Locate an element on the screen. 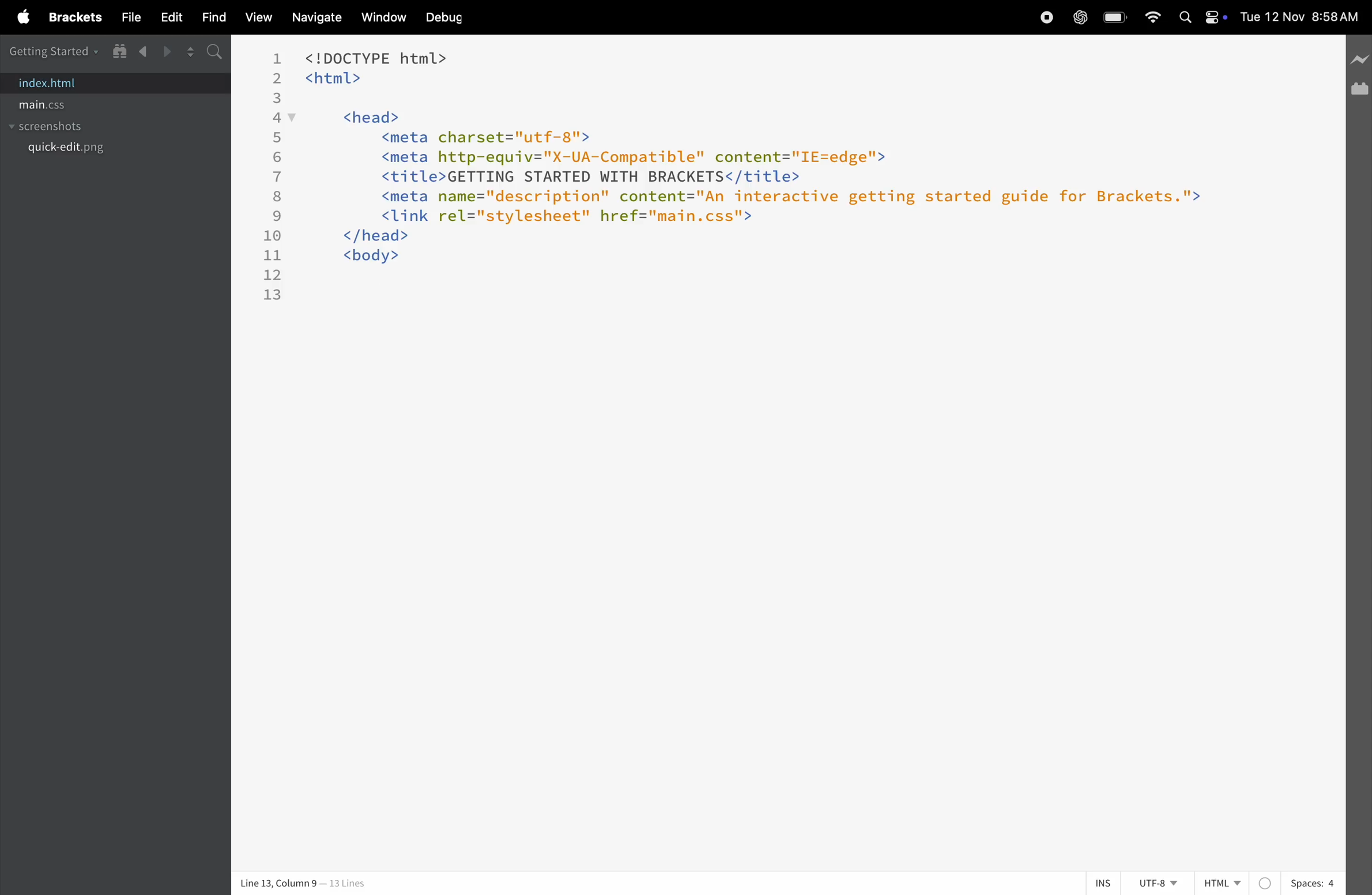 This screenshot has height=895, width=1372. line preview is located at coordinates (1358, 58).